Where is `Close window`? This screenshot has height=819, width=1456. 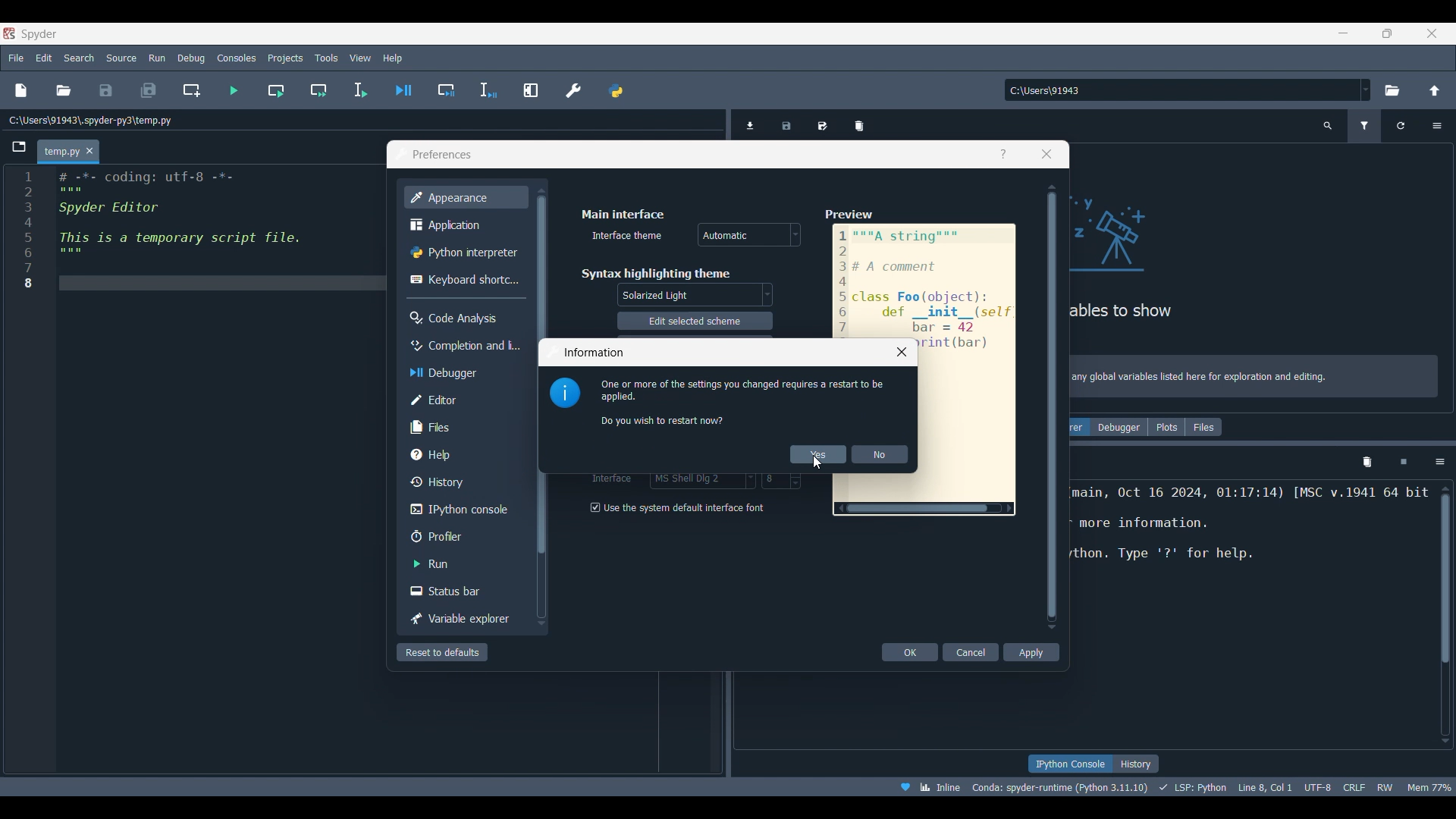
Close window is located at coordinates (902, 352).